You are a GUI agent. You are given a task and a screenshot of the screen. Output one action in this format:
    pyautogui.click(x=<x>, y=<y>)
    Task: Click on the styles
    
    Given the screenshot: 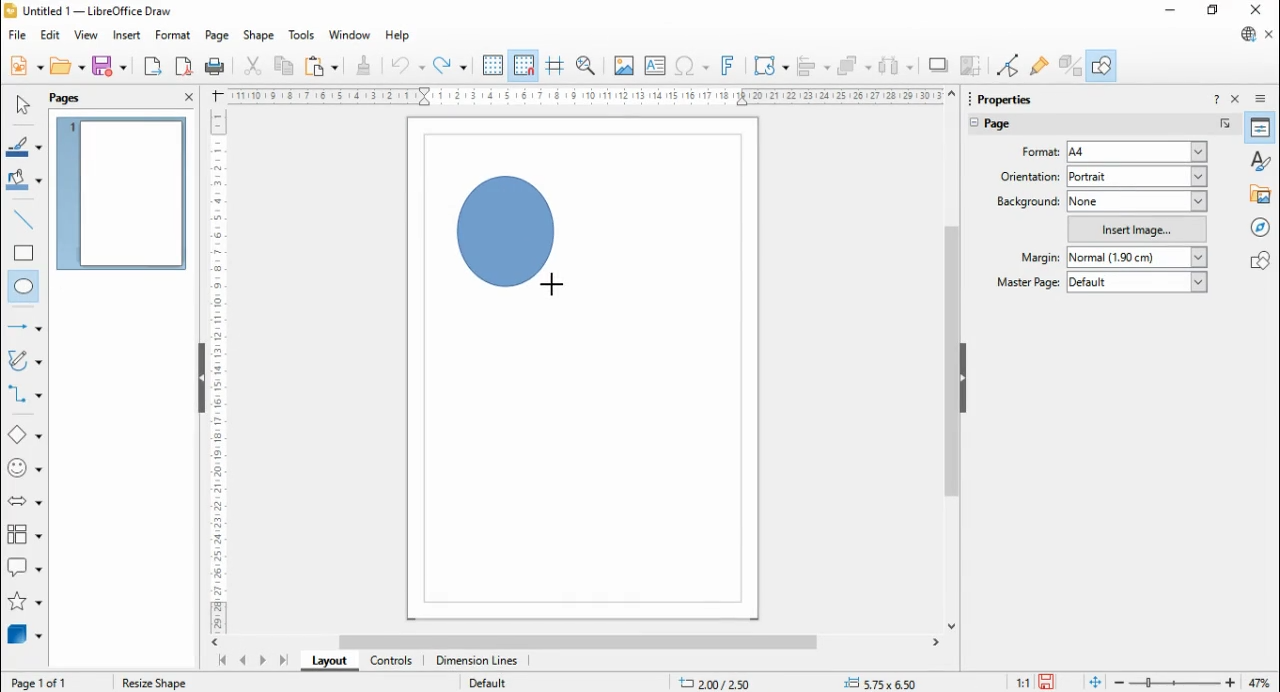 What is the action you would take?
    pyautogui.click(x=1262, y=159)
    